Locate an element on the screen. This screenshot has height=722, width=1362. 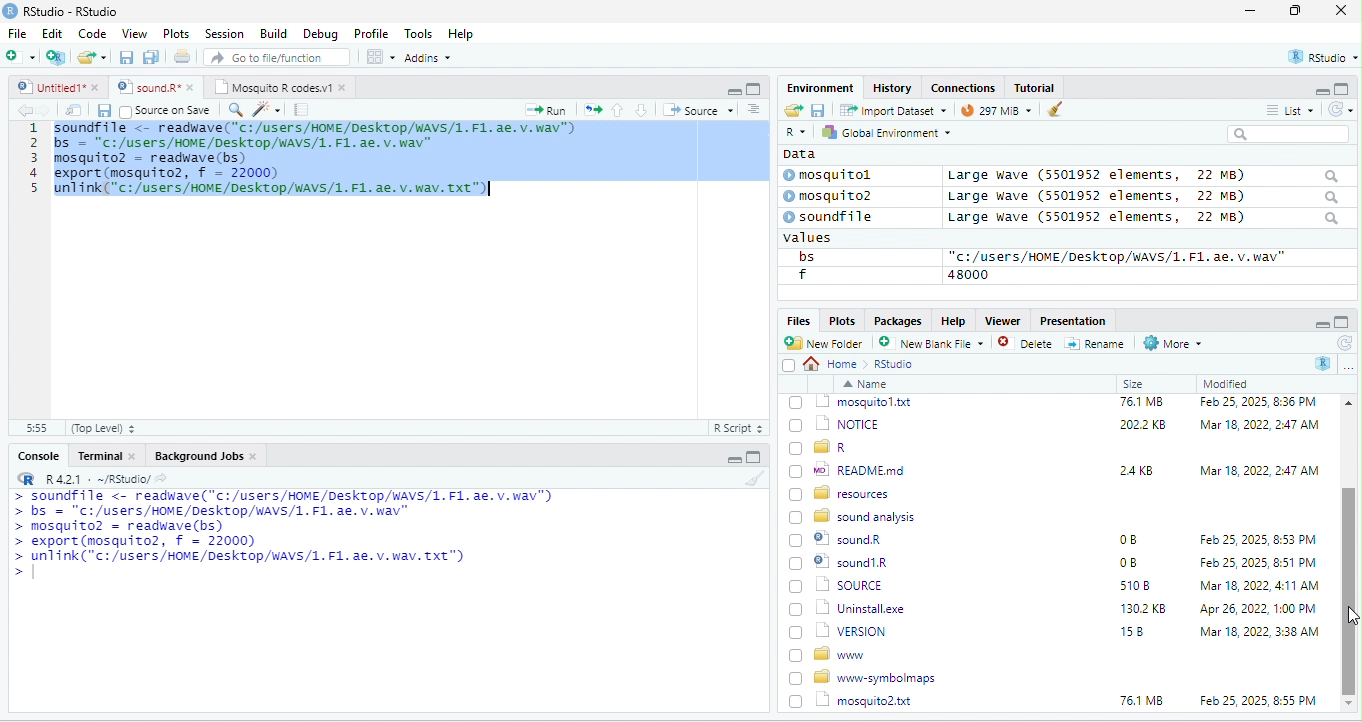
Help is located at coordinates (462, 35).